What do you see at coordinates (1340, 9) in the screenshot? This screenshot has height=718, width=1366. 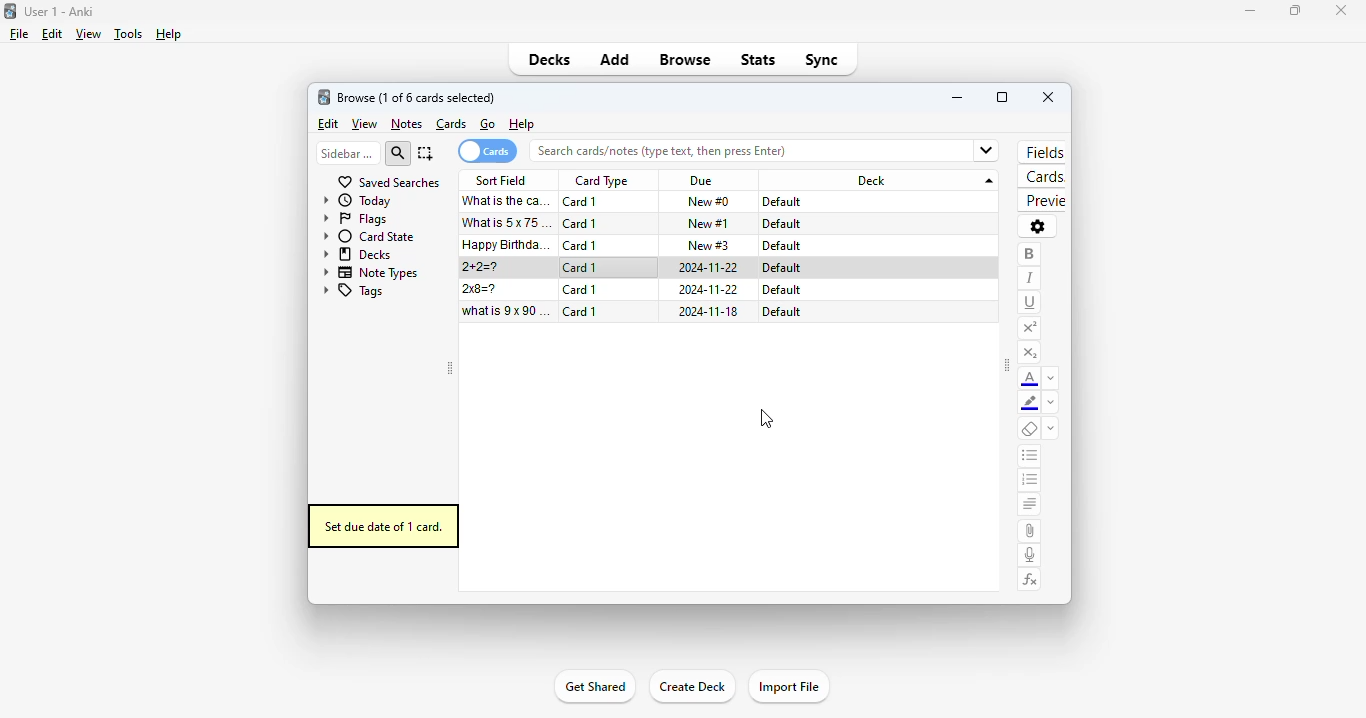 I see `close` at bounding box center [1340, 9].